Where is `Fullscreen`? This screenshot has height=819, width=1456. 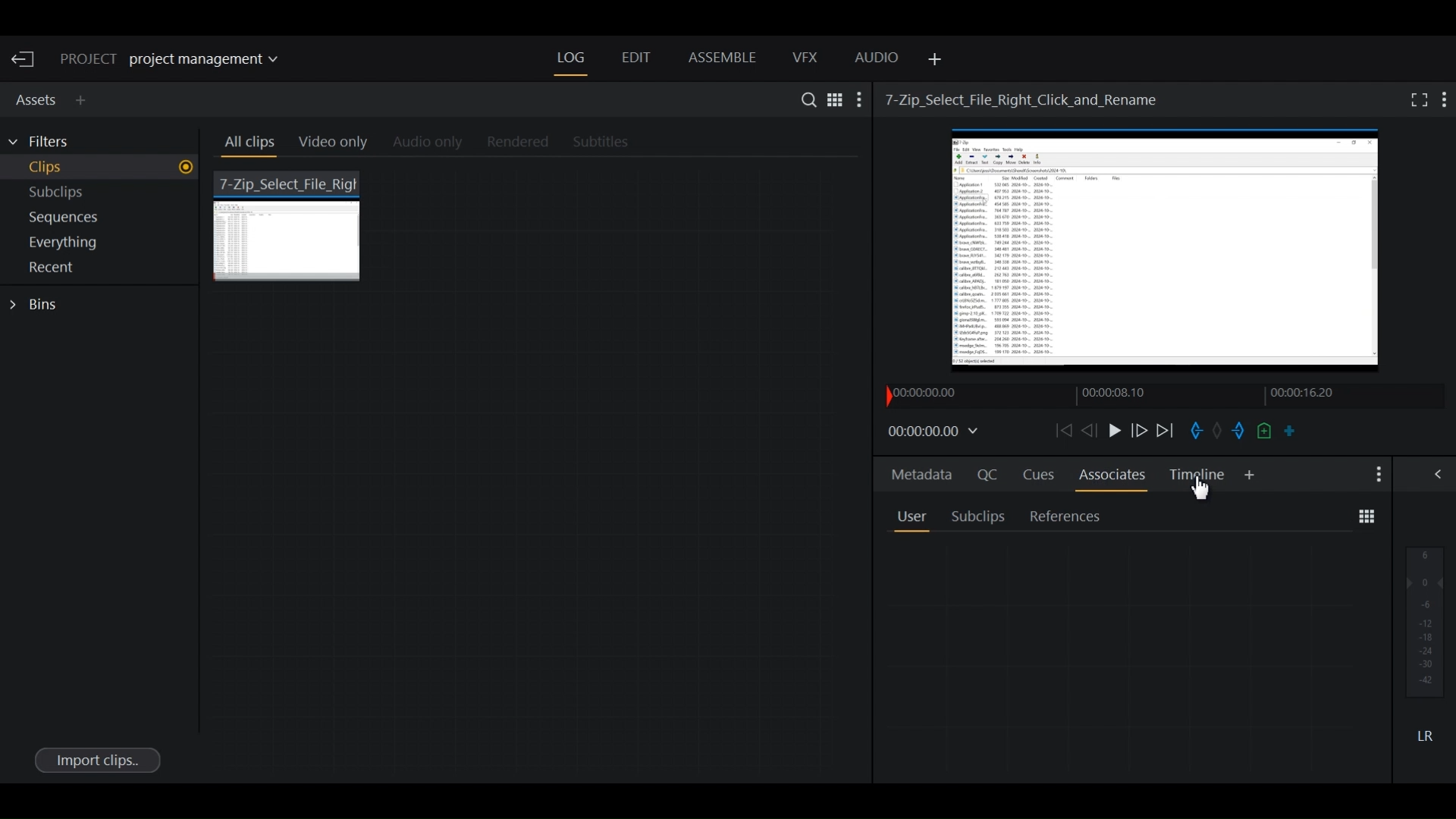
Fullscreen is located at coordinates (1416, 99).